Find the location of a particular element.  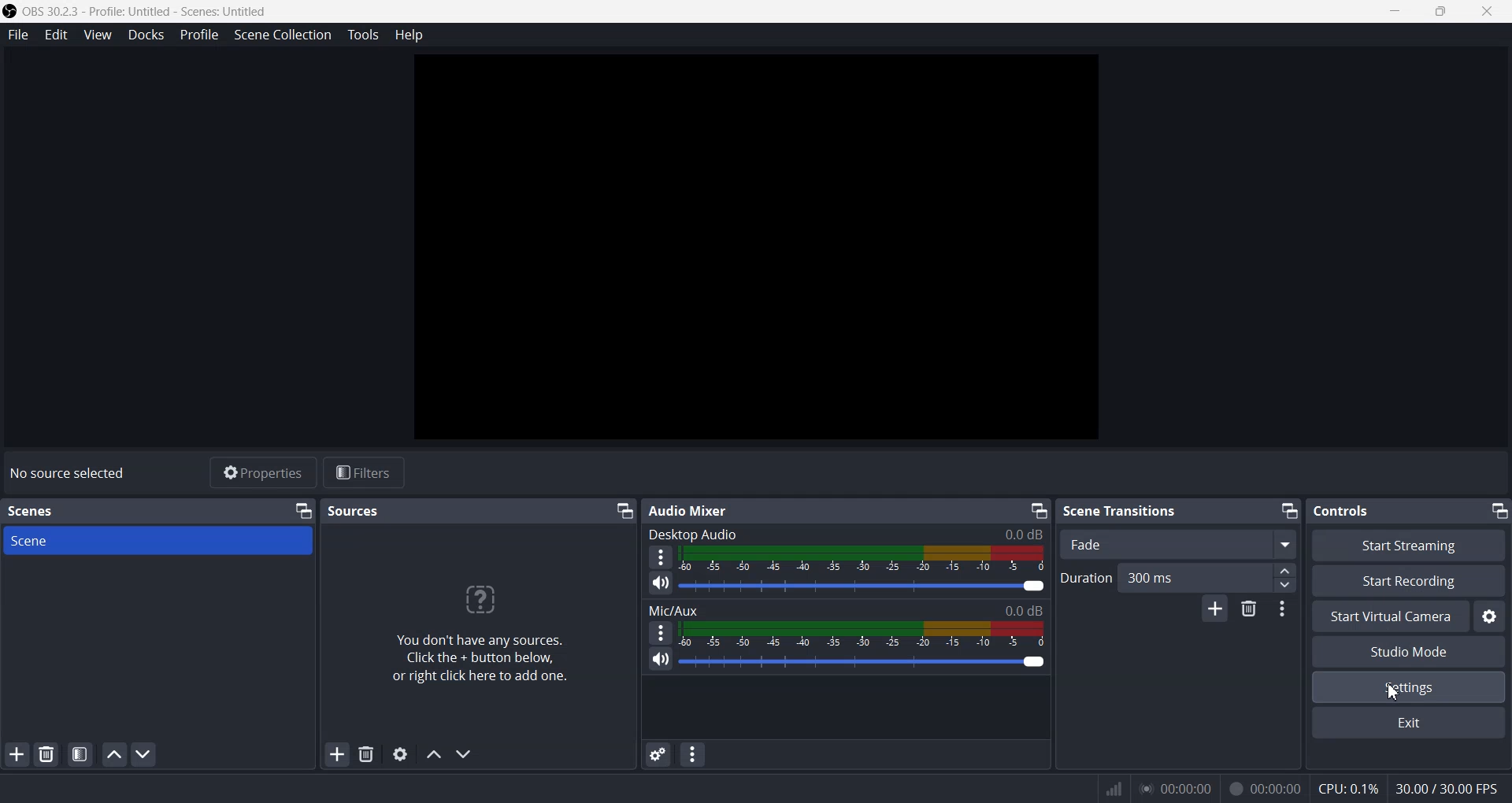

00:00:00 is located at coordinates (1261, 788).